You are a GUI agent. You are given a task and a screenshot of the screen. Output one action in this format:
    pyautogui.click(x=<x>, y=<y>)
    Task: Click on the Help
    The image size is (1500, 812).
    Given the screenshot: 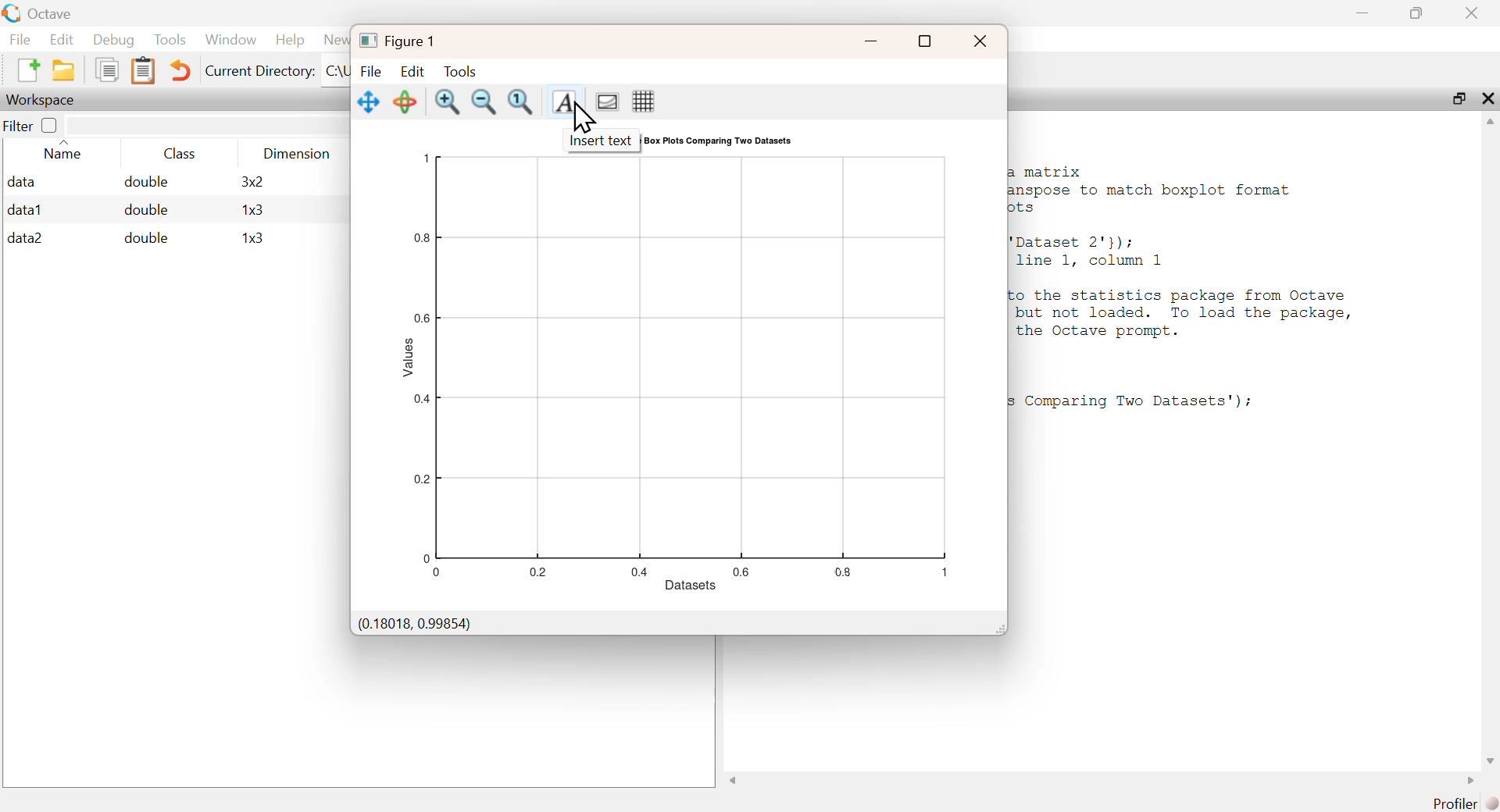 What is the action you would take?
    pyautogui.click(x=290, y=40)
    